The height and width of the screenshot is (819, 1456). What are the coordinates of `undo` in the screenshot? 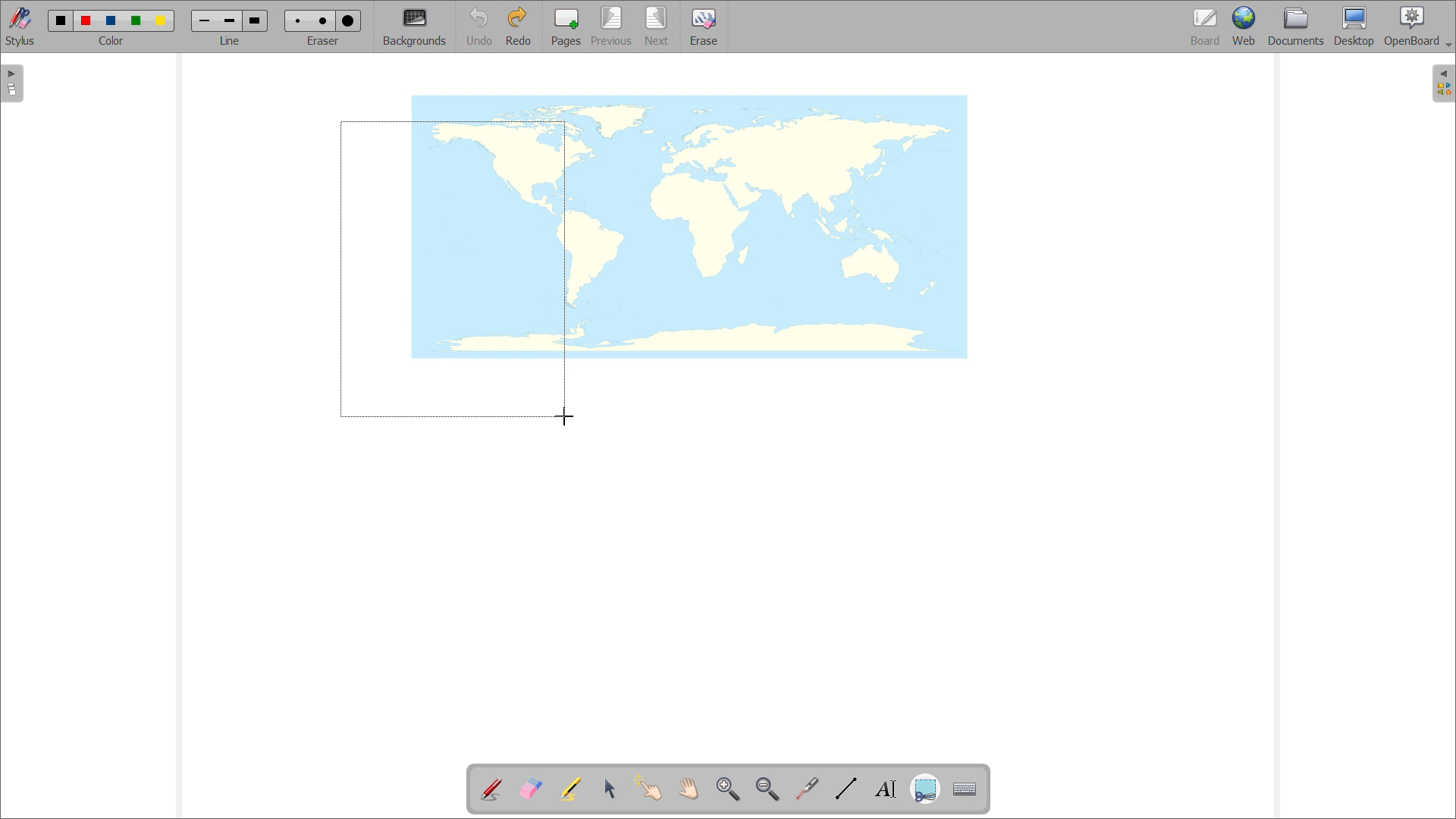 It's located at (479, 27).